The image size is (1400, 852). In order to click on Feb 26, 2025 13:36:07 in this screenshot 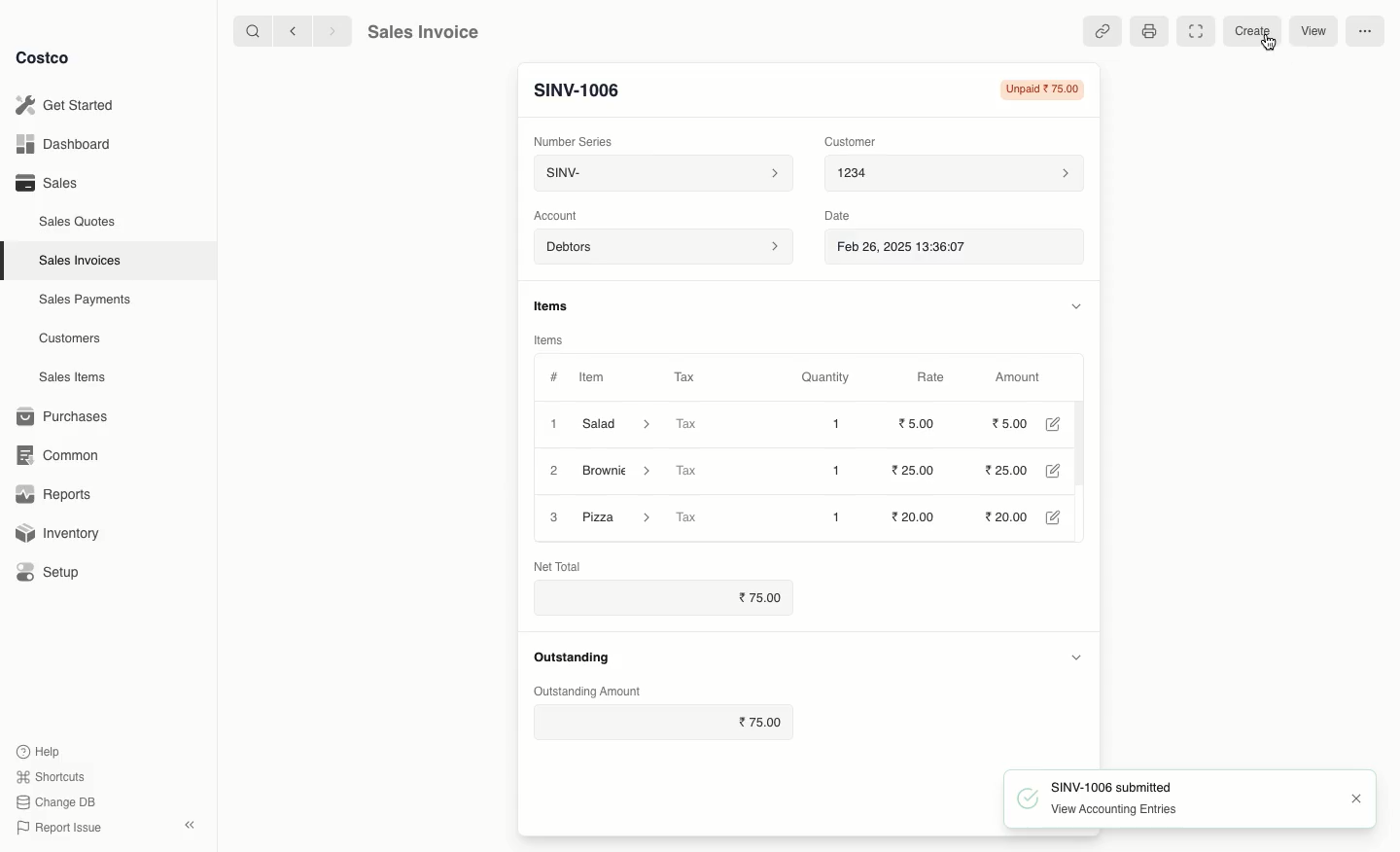, I will do `click(950, 246)`.